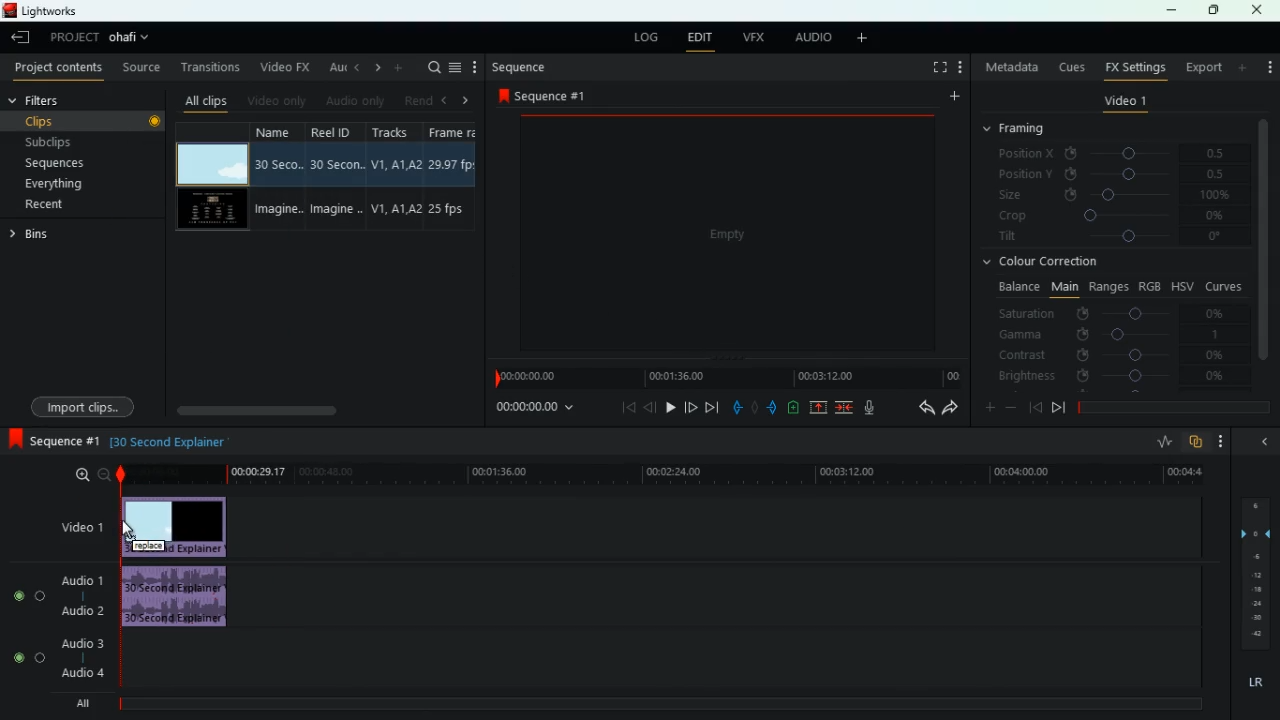  What do you see at coordinates (650, 407) in the screenshot?
I see `back` at bounding box center [650, 407].